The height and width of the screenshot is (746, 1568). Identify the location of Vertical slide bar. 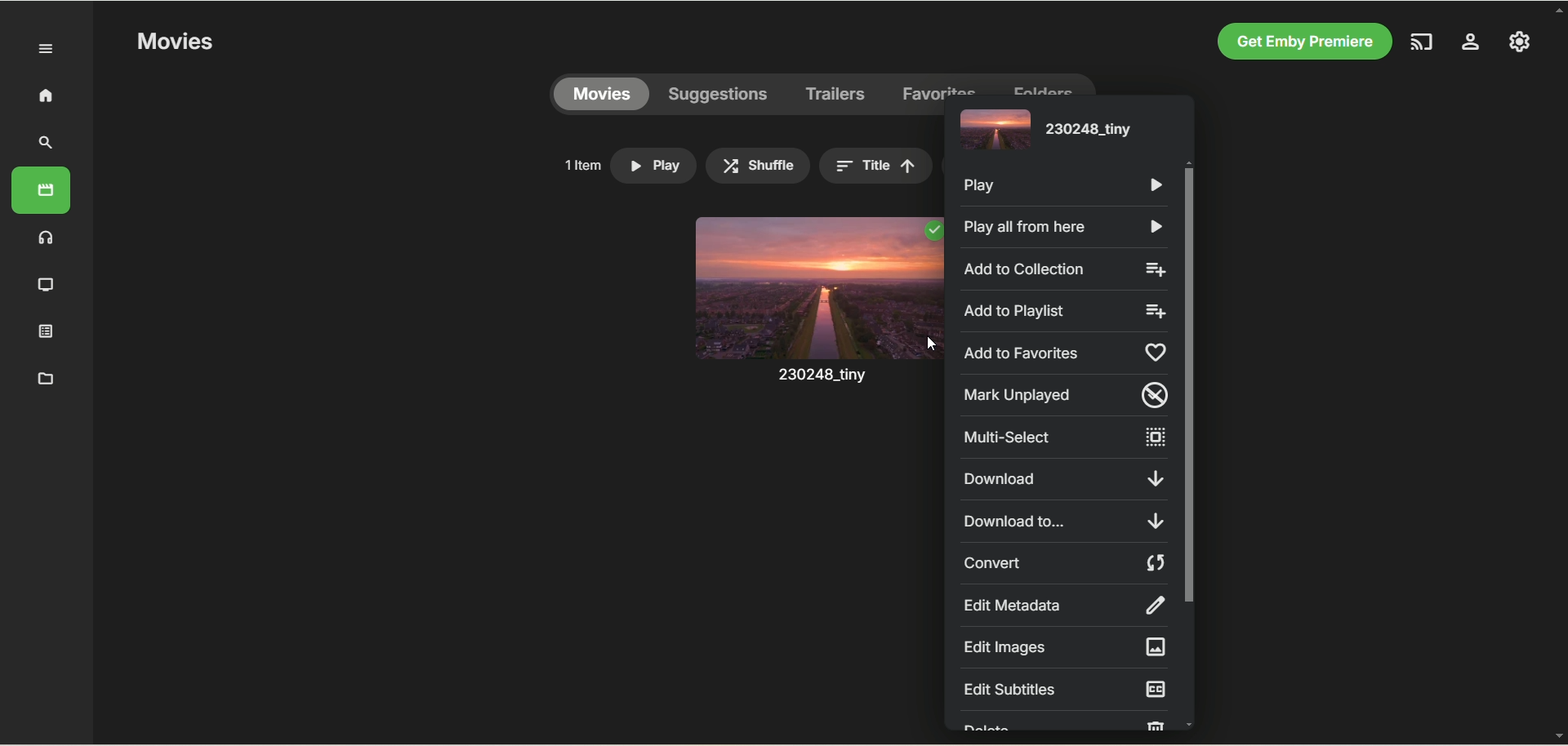
(1189, 443).